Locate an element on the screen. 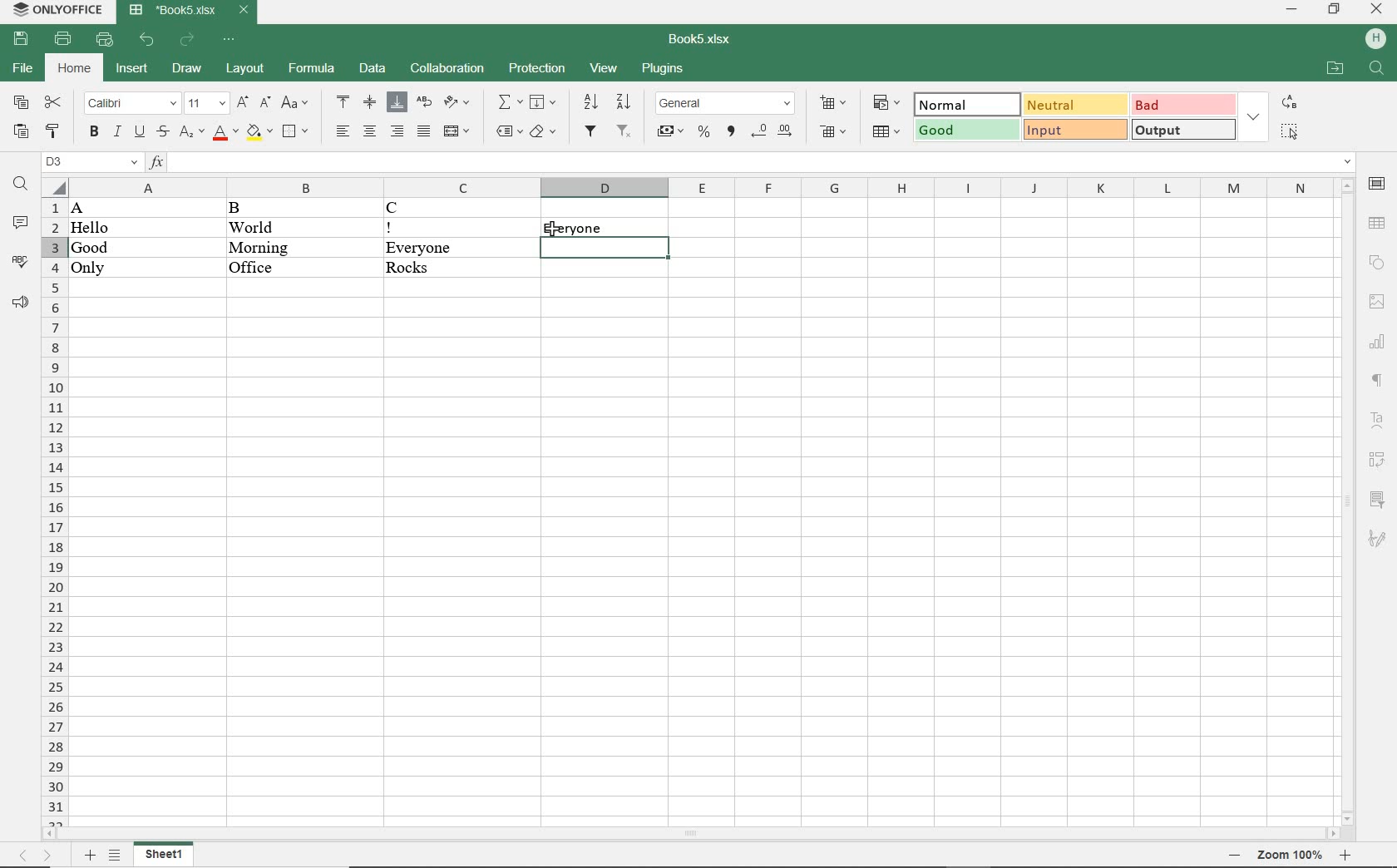 This screenshot has width=1397, height=868. change decimal is located at coordinates (774, 131).